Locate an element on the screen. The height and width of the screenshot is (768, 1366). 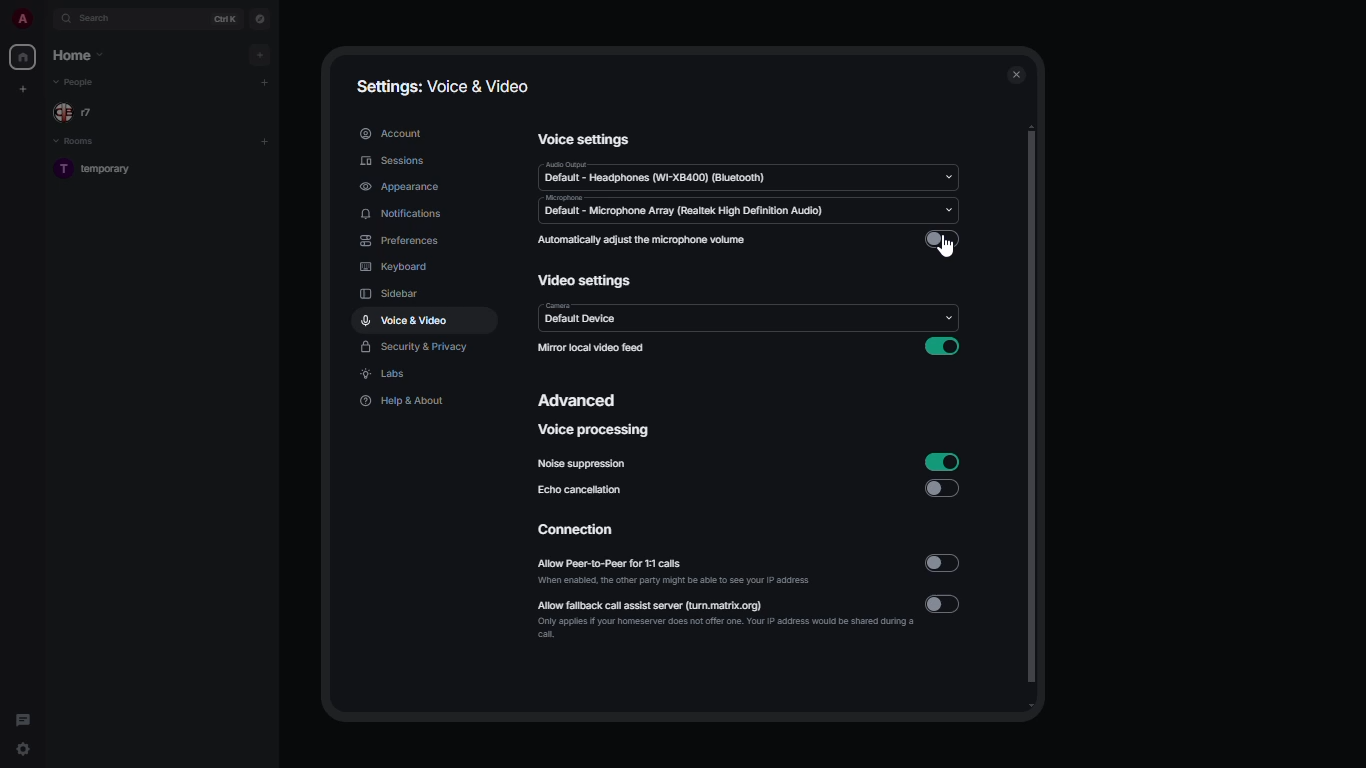
connection is located at coordinates (584, 531).